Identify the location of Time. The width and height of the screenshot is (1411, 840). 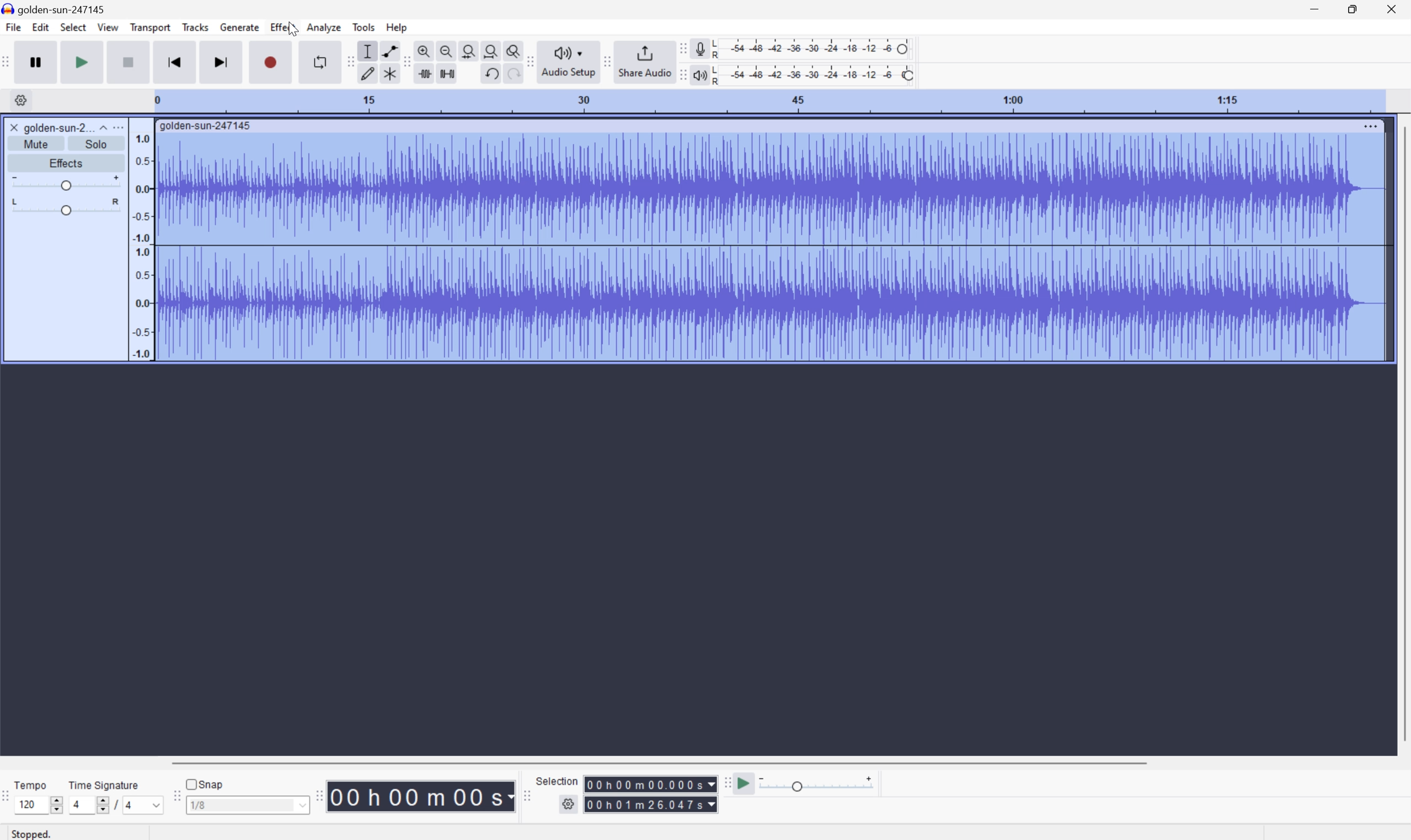
(422, 795).